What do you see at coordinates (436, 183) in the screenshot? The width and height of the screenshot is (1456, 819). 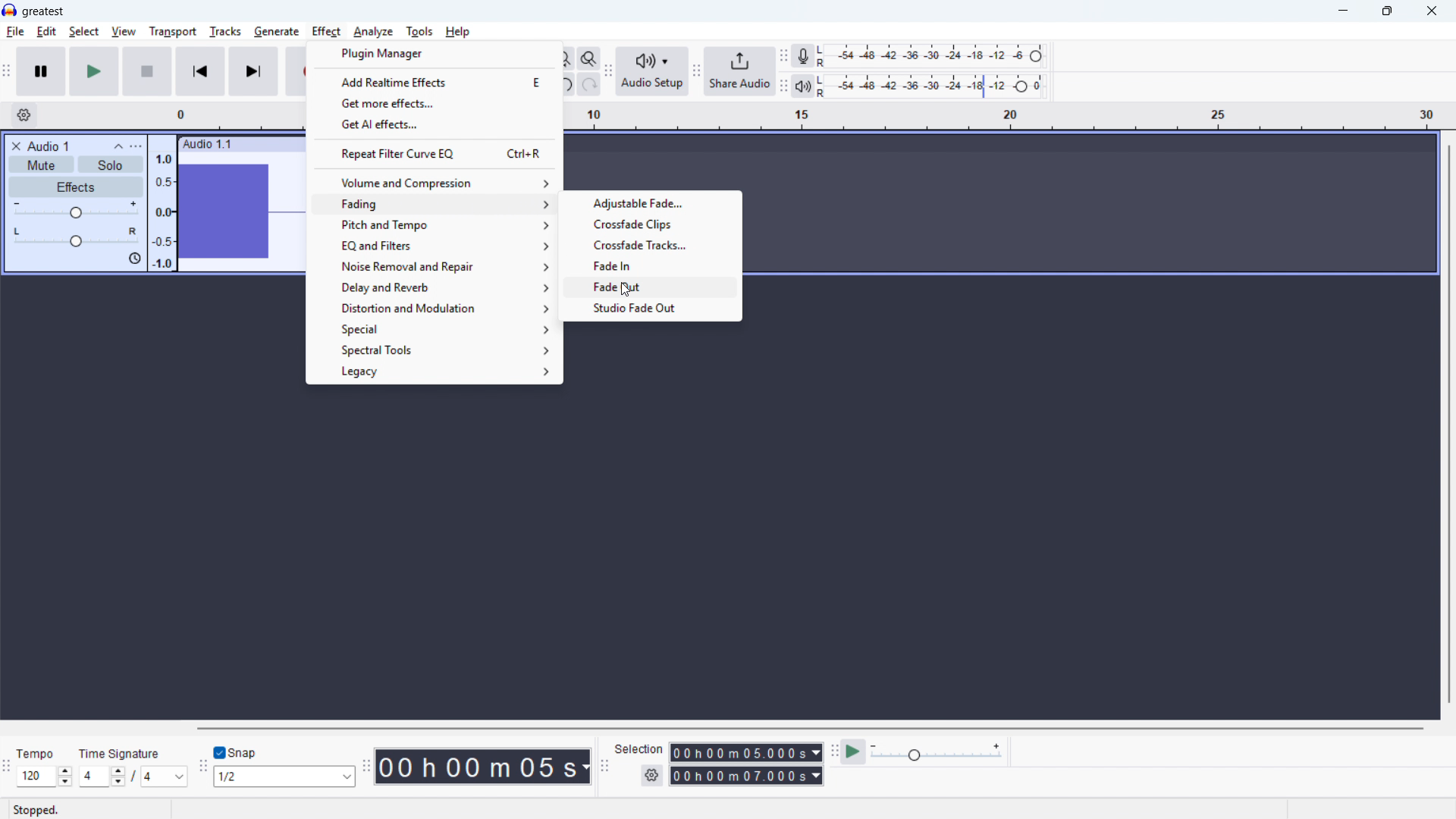 I see `Volume and compression ` at bounding box center [436, 183].